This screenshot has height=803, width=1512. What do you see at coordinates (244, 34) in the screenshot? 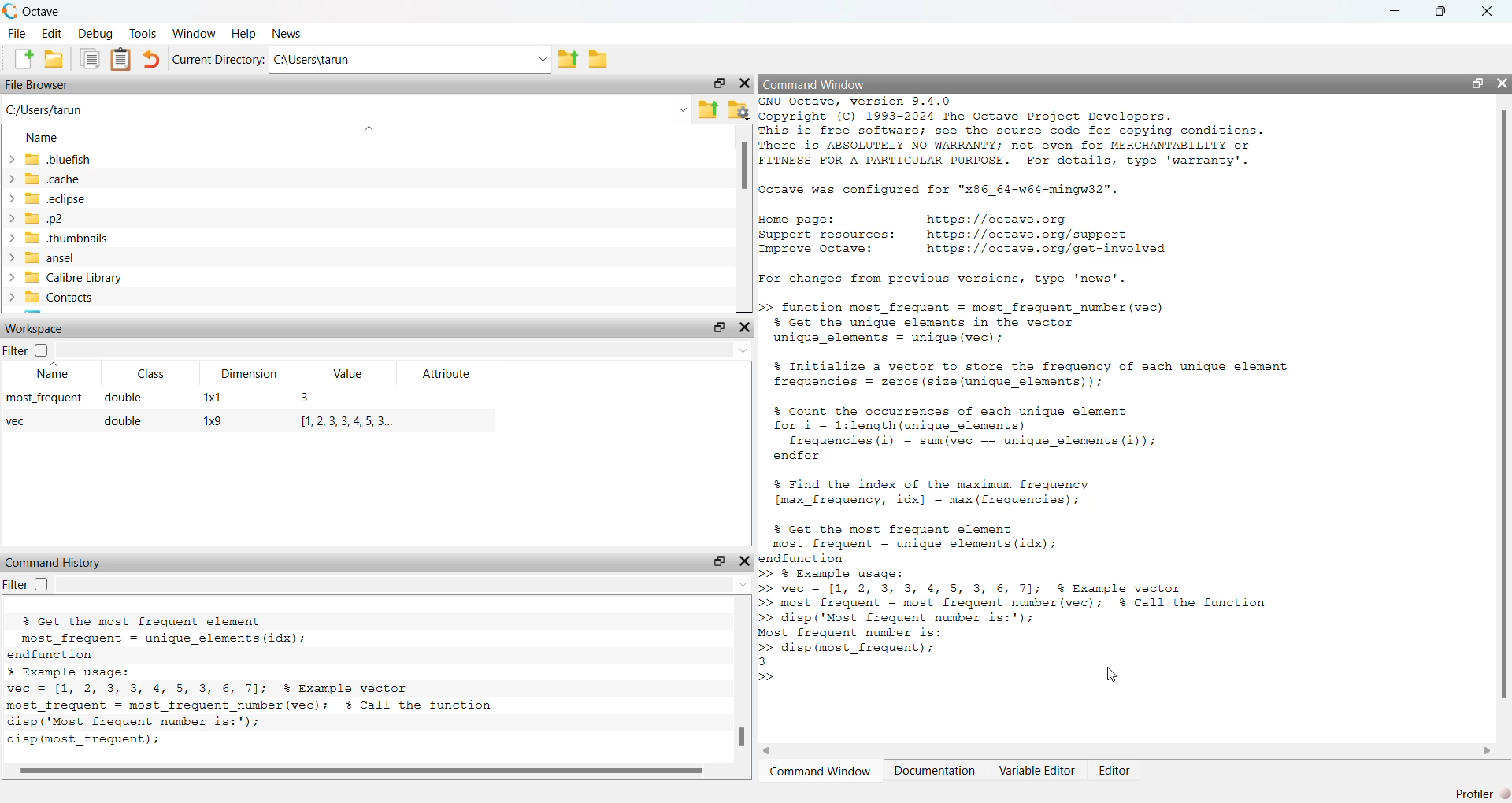
I see `Help` at bounding box center [244, 34].